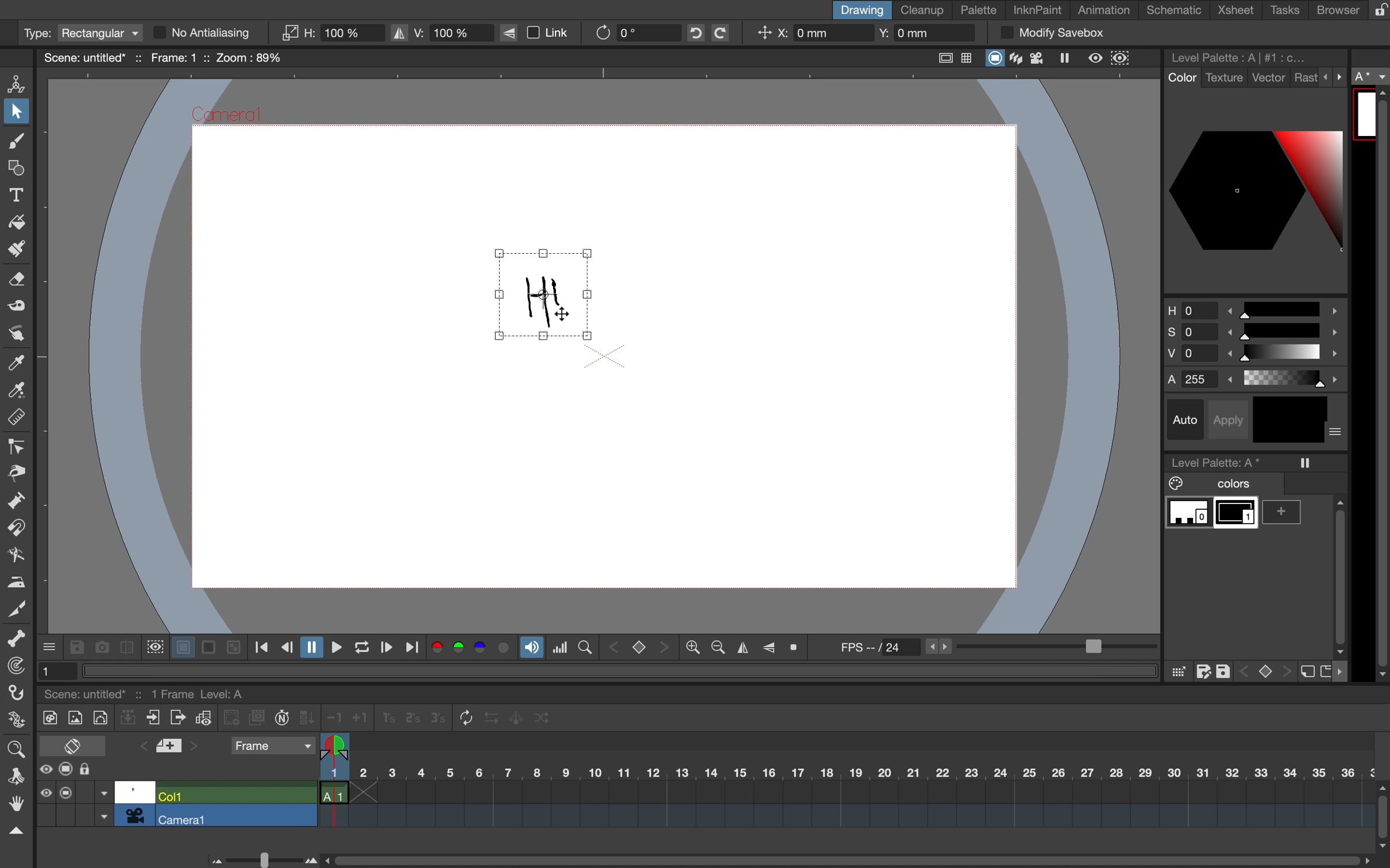 This screenshot has height=868, width=1390. Describe the element at coordinates (1253, 334) in the screenshot. I see `saturation` at that location.